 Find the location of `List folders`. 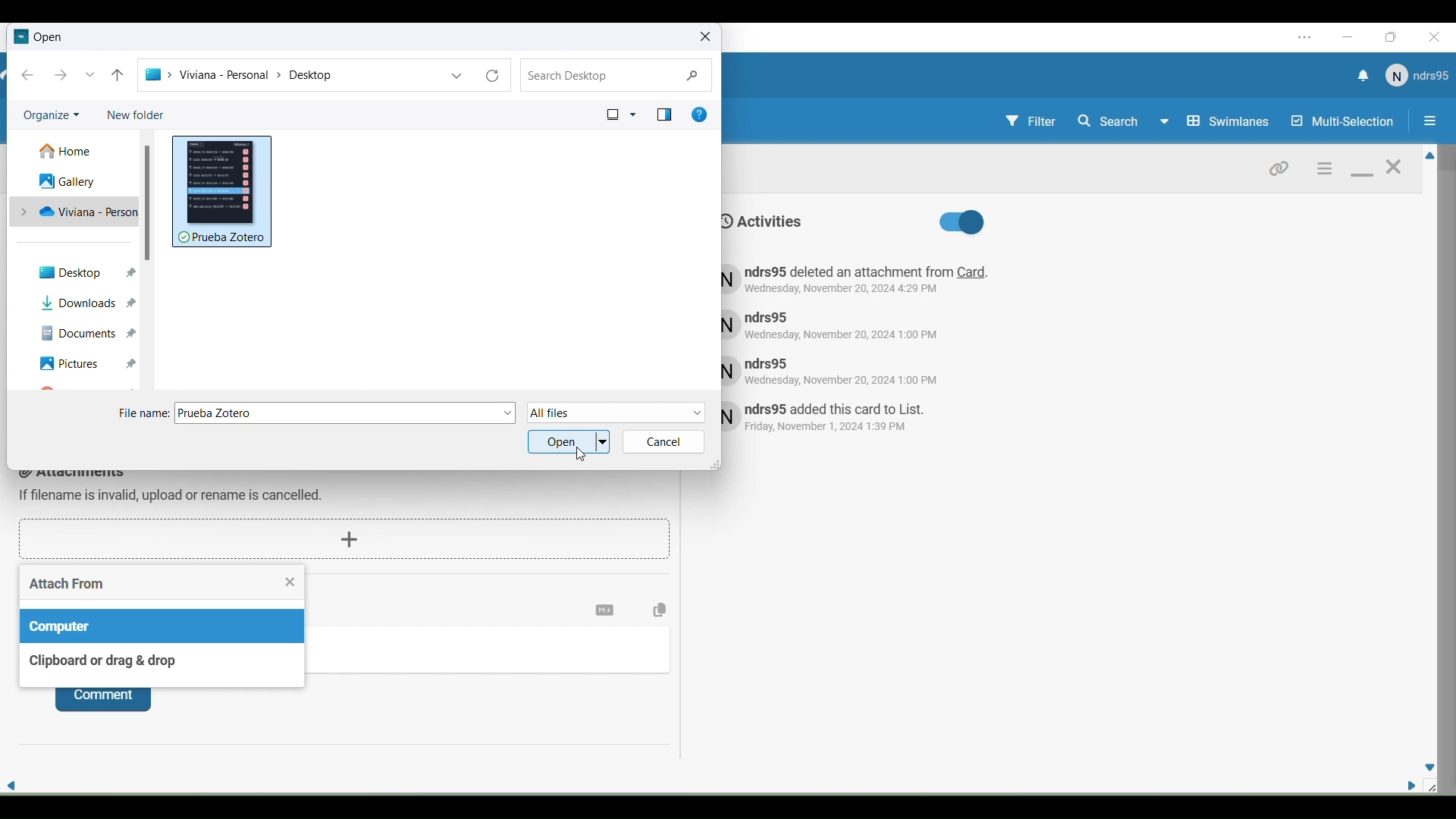

List folders is located at coordinates (90, 74).